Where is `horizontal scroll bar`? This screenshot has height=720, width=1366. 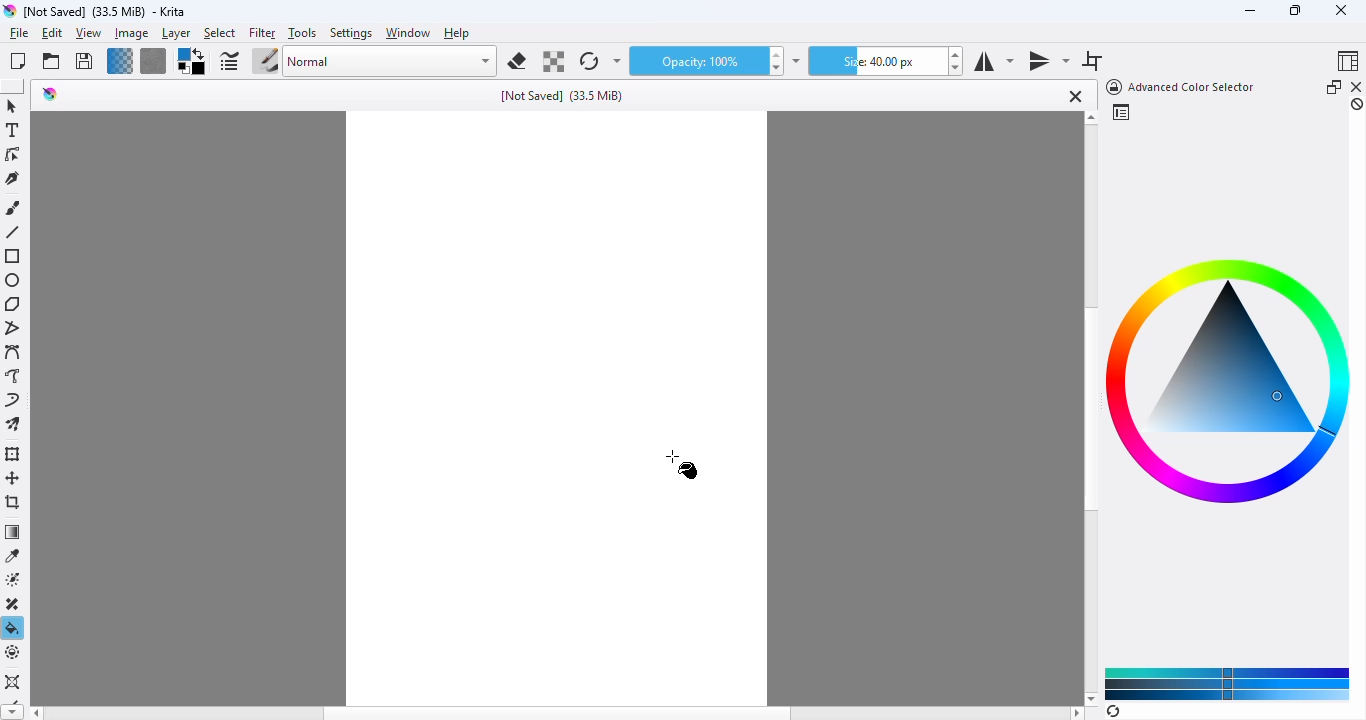
horizontal scroll bar is located at coordinates (558, 713).